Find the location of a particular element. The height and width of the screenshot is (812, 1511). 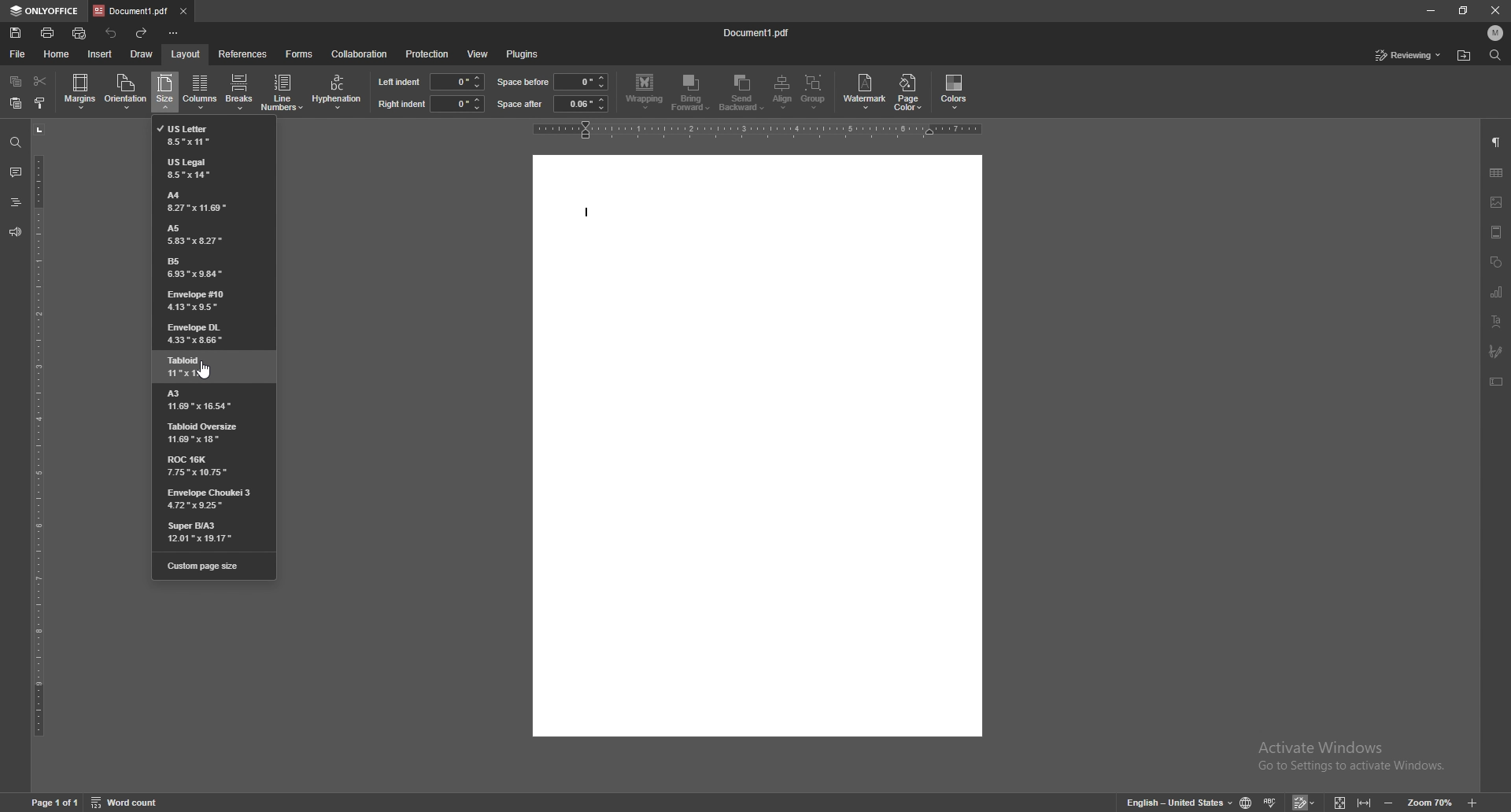

home is located at coordinates (57, 54).